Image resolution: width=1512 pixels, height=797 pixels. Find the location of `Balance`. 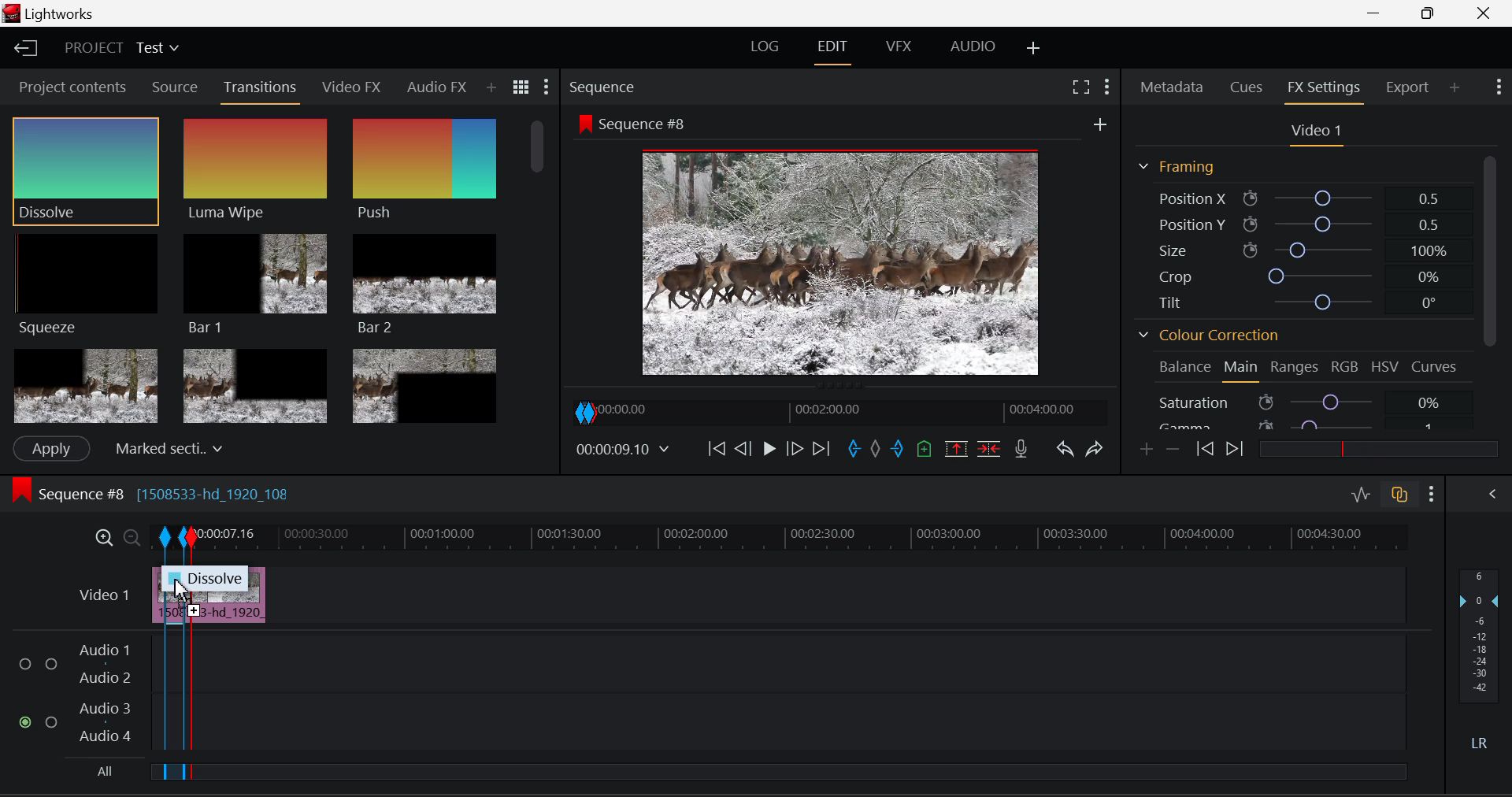

Balance is located at coordinates (1180, 367).